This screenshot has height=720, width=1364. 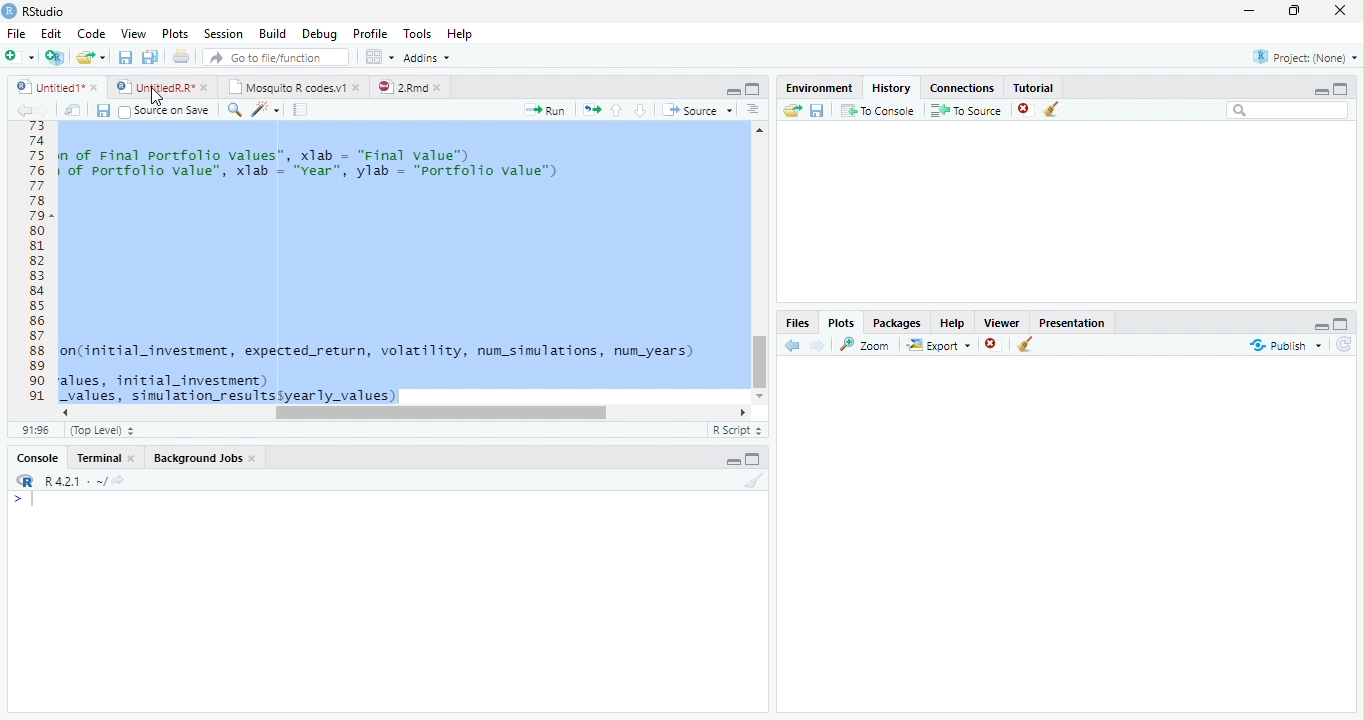 I want to click on Full Height, so click(x=754, y=88).